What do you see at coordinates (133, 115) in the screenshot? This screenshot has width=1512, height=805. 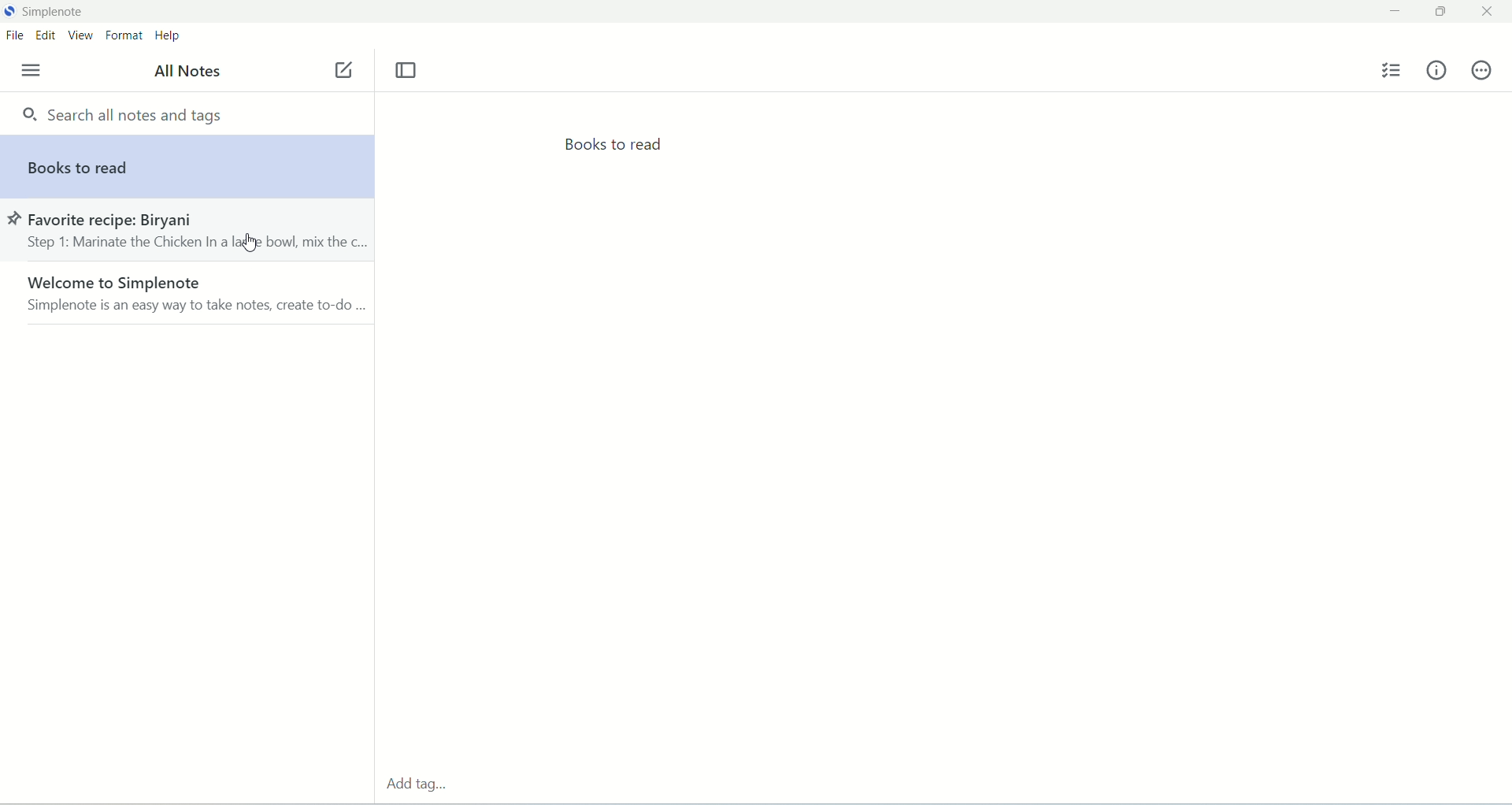 I see `search all notes and tags` at bounding box center [133, 115].